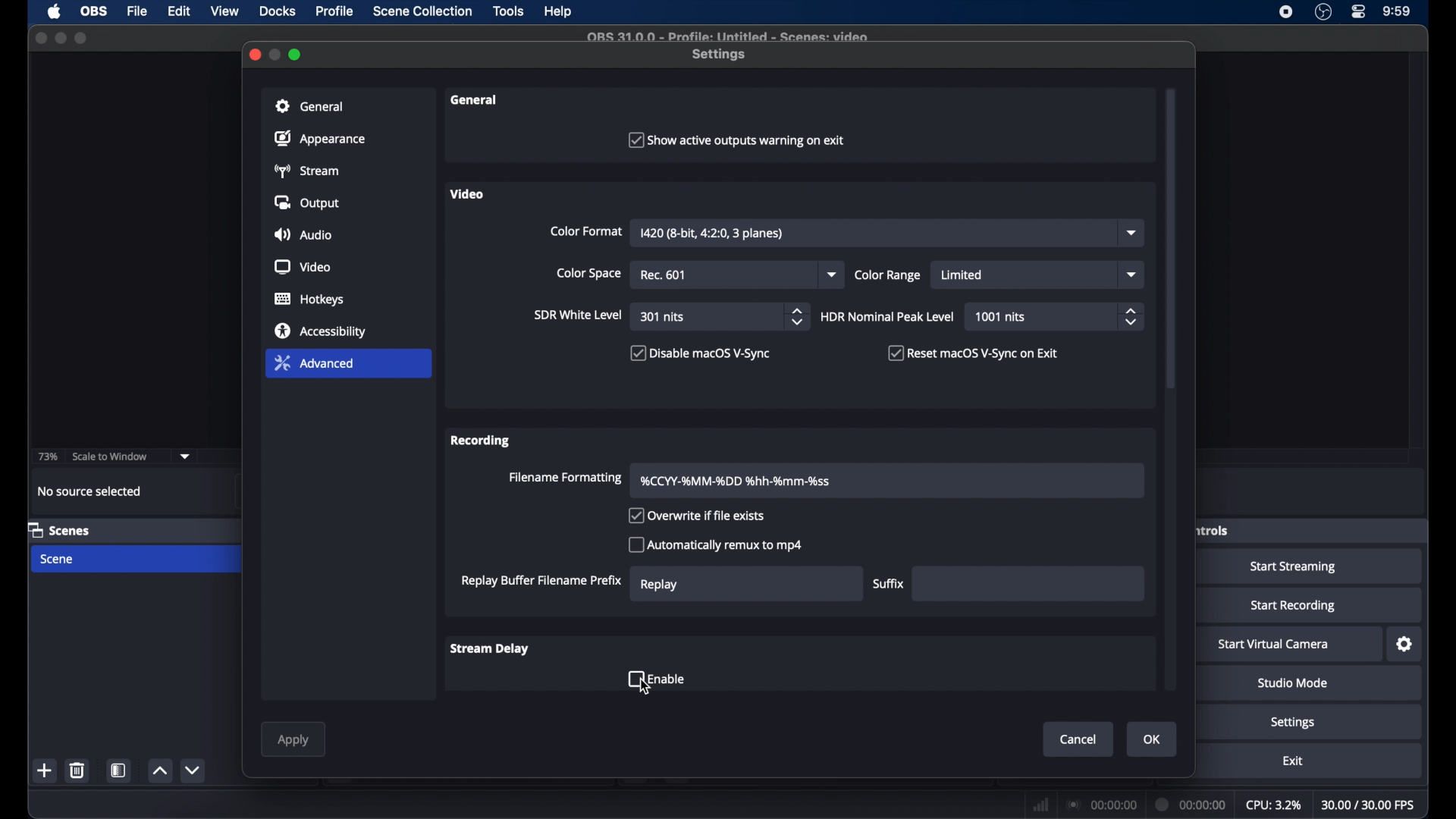 This screenshot has height=819, width=1456. Describe the element at coordinates (89, 491) in the screenshot. I see `no source selected ` at that location.